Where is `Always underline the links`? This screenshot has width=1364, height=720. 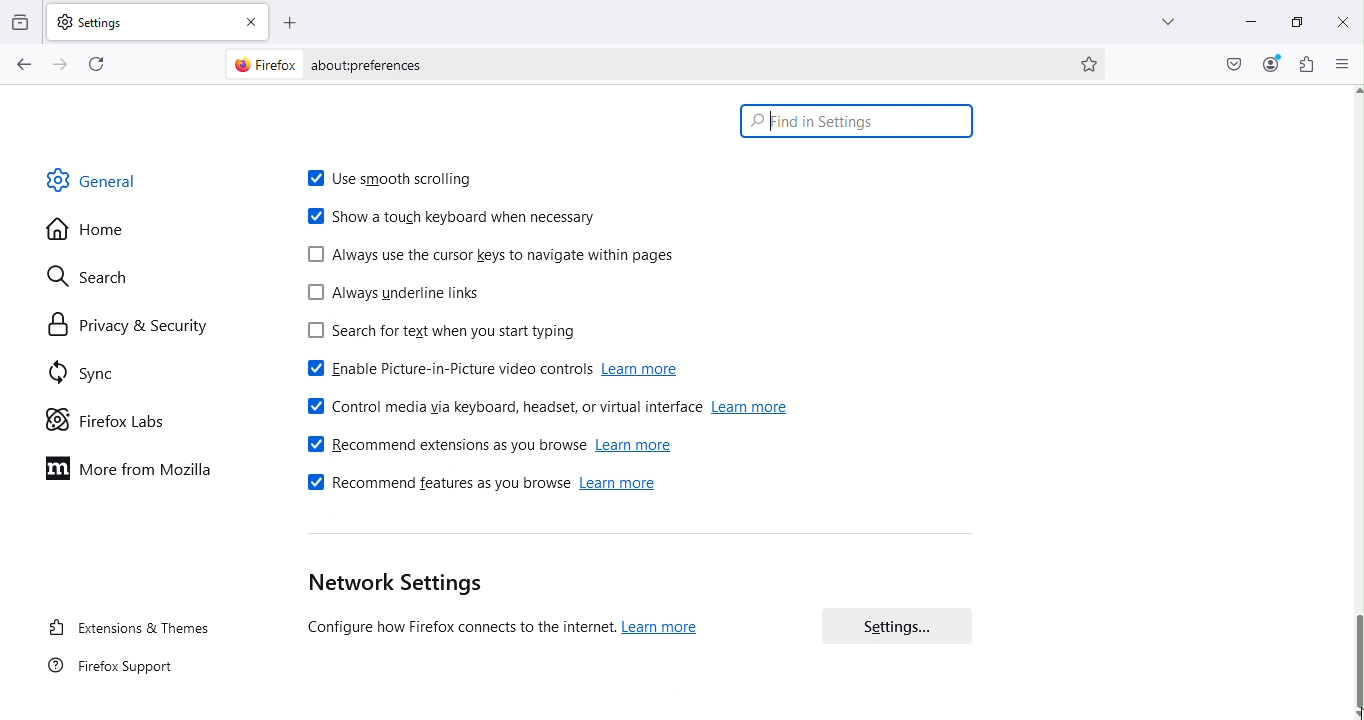
Always underline the links is located at coordinates (392, 296).